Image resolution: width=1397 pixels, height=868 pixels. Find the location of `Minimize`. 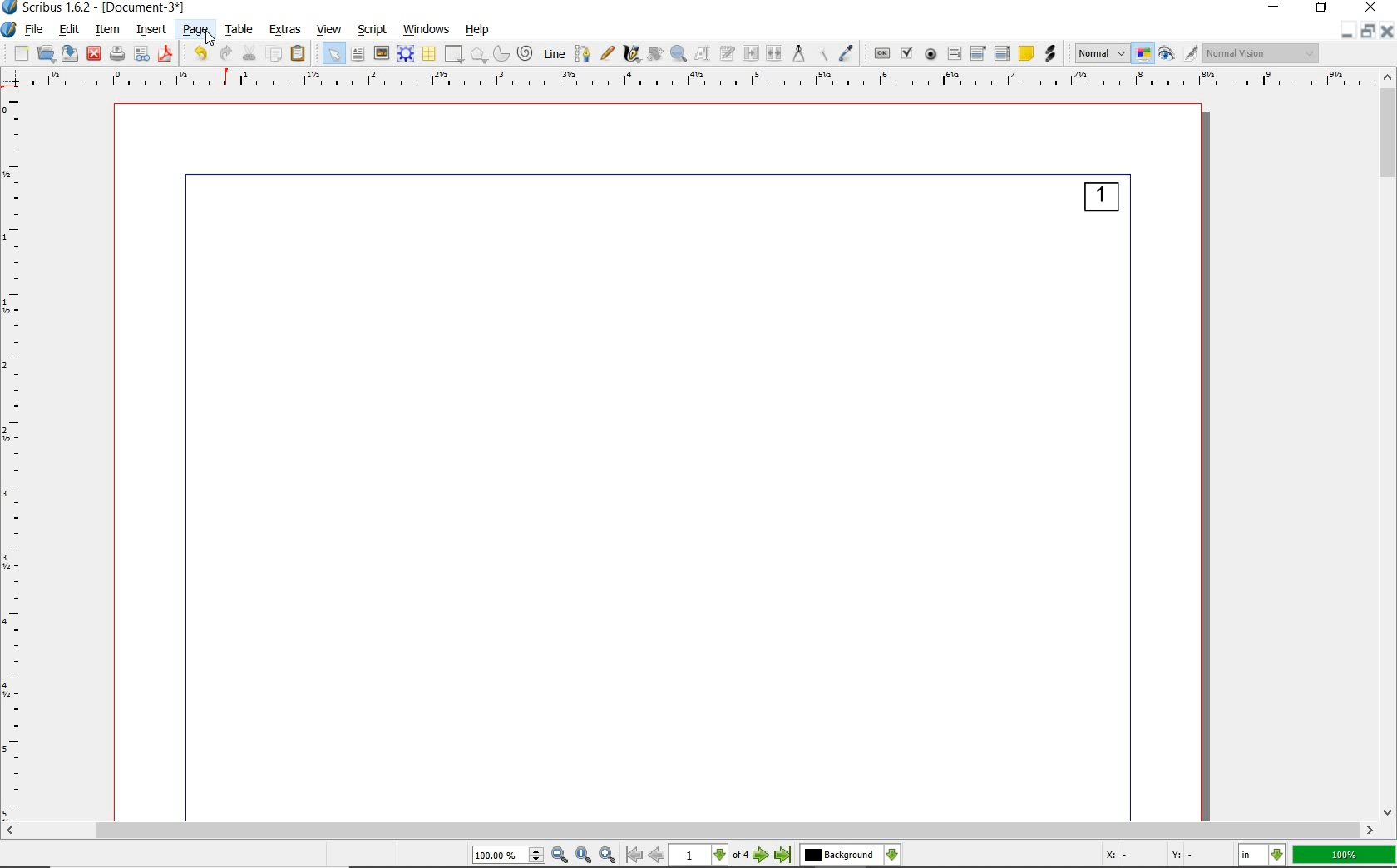

Minimize is located at coordinates (1348, 32).